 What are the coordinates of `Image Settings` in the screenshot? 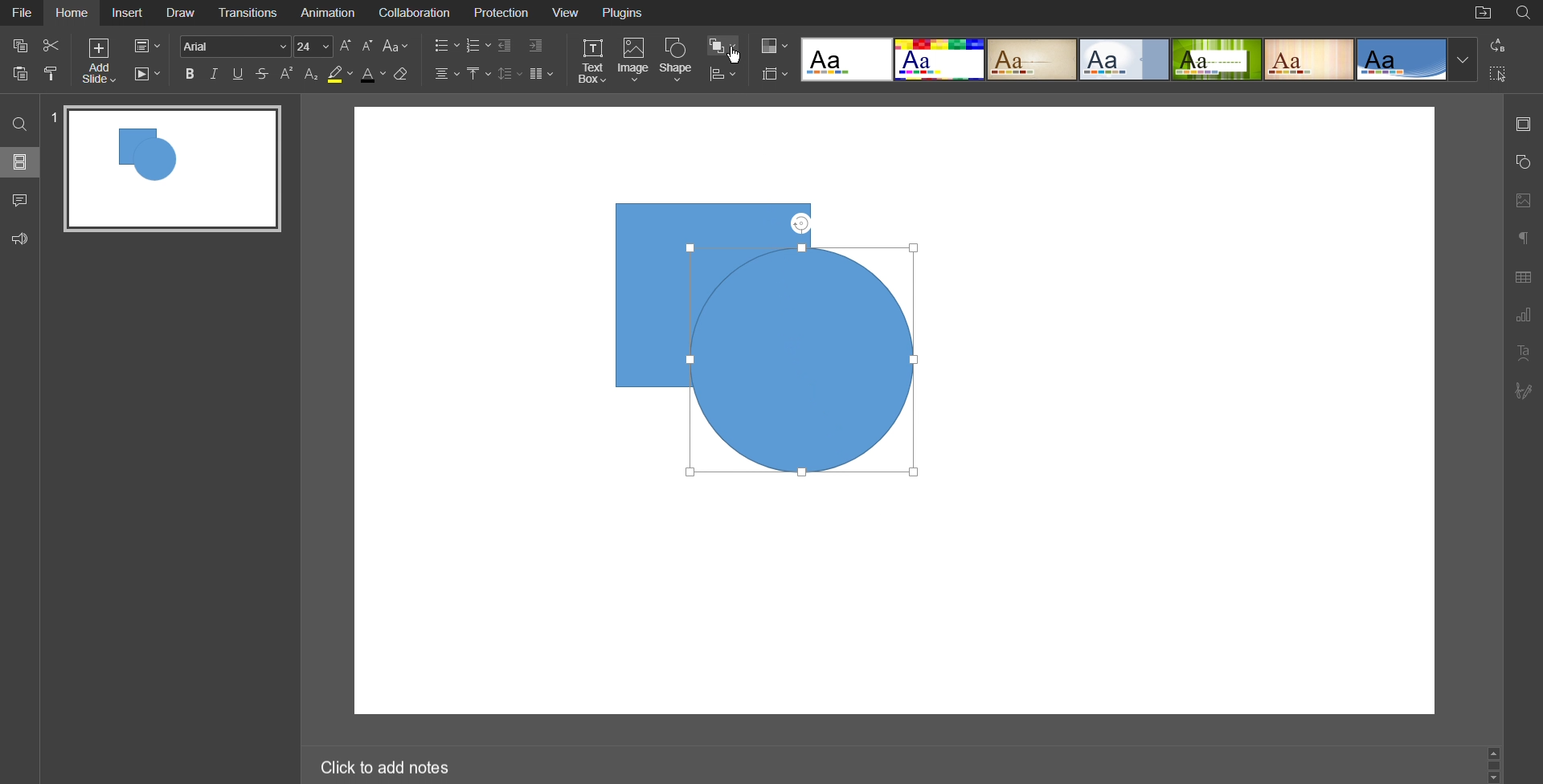 It's located at (1524, 200).